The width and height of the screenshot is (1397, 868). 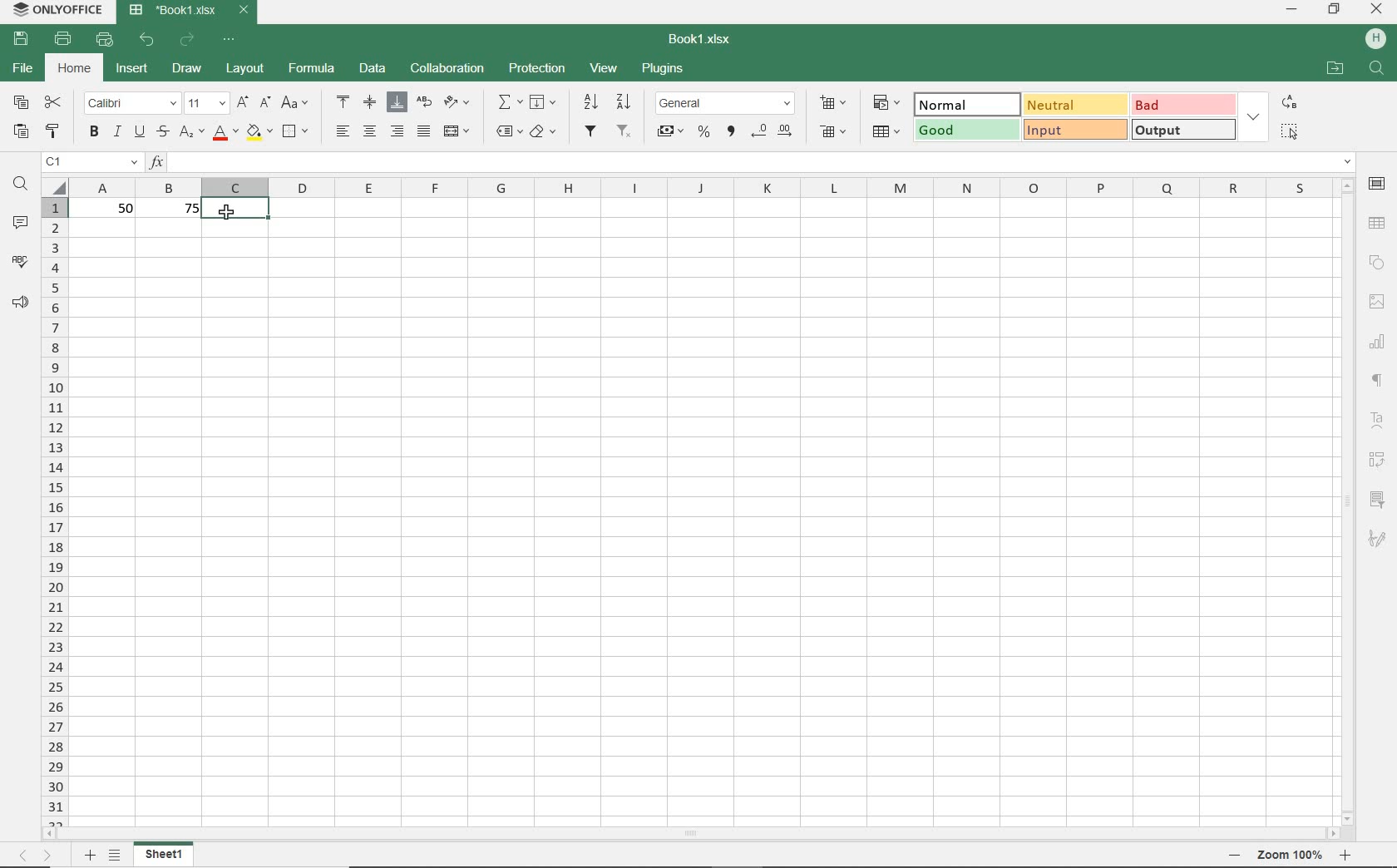 What do you see at coordinates (1381, 539) in the screenshot?
I see `signature` at bounding box center [1381, 539].